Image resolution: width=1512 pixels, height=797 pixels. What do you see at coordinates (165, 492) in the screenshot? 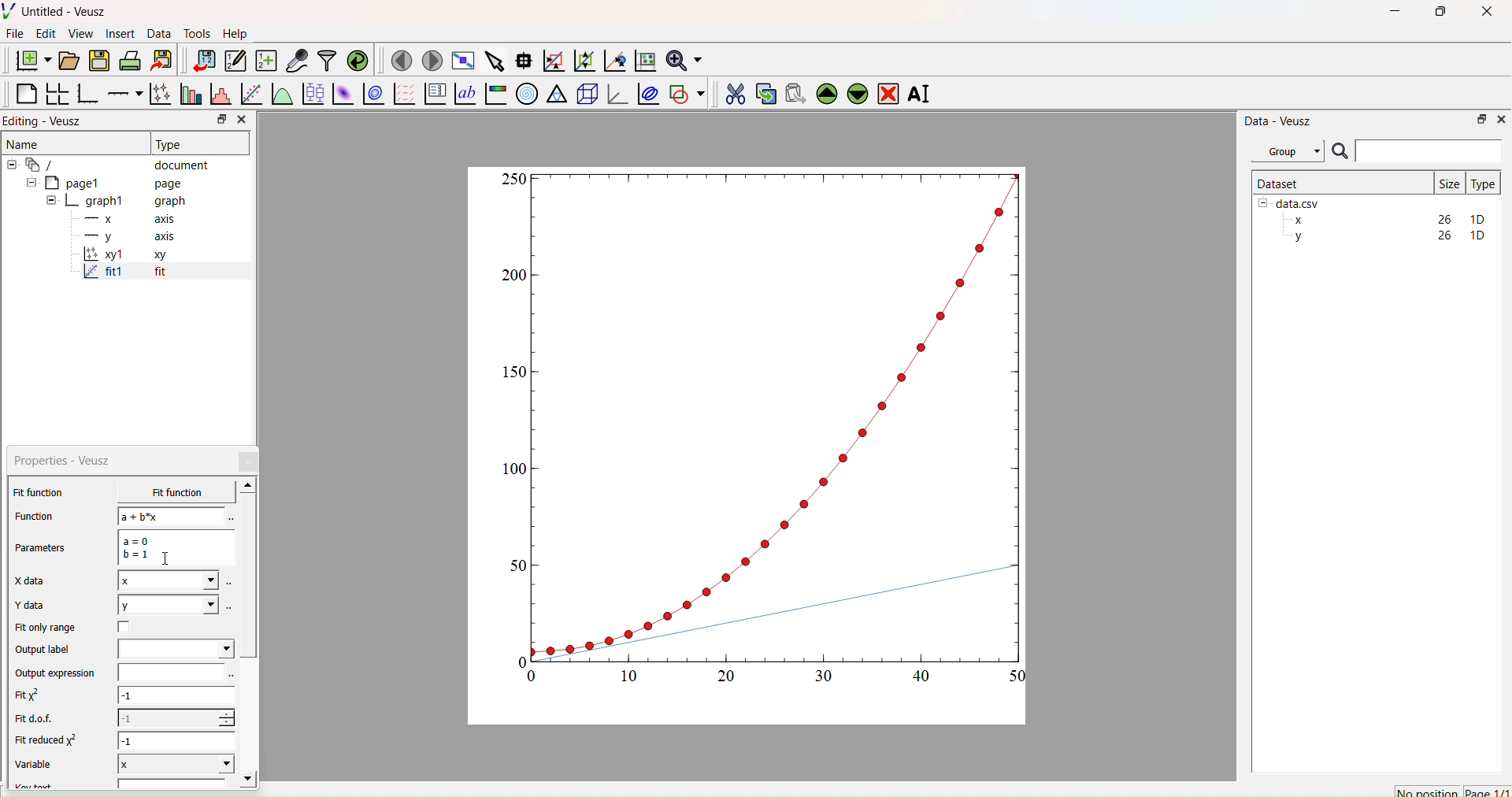
I see `x` at bounding box center [165, 492].